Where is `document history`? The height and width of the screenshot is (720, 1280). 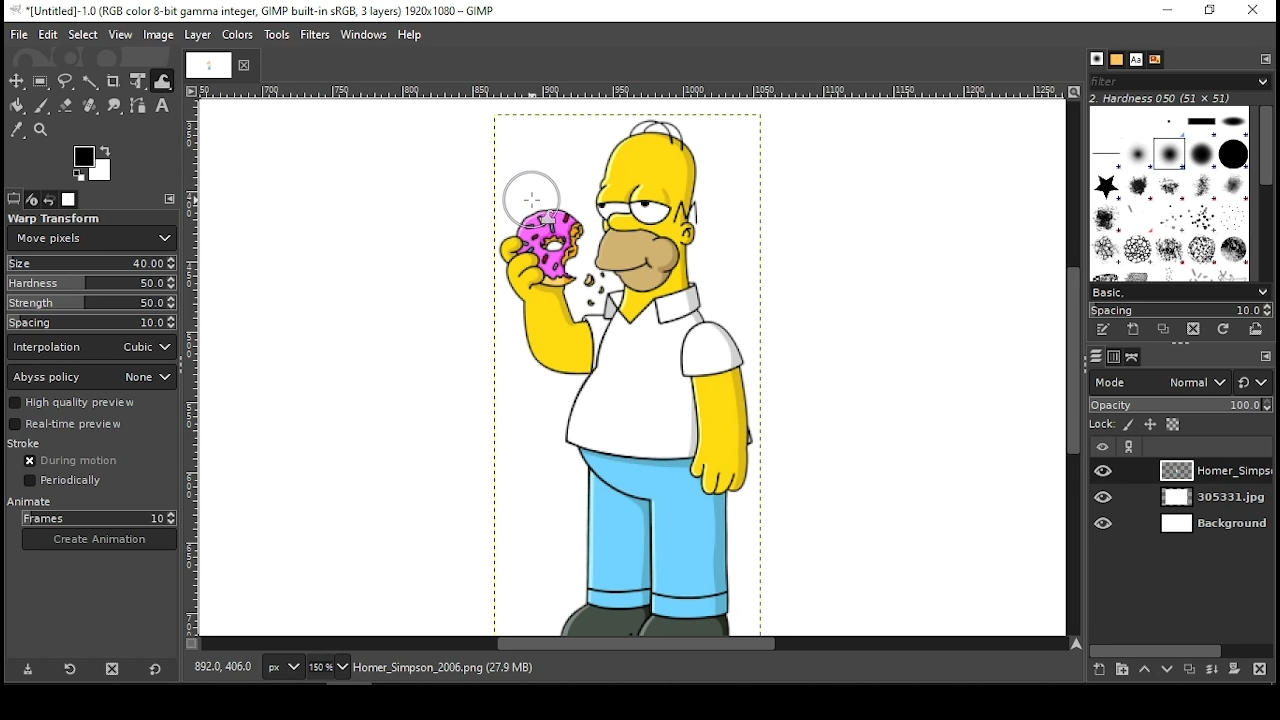 document history is located at coordinates (1156, 60).